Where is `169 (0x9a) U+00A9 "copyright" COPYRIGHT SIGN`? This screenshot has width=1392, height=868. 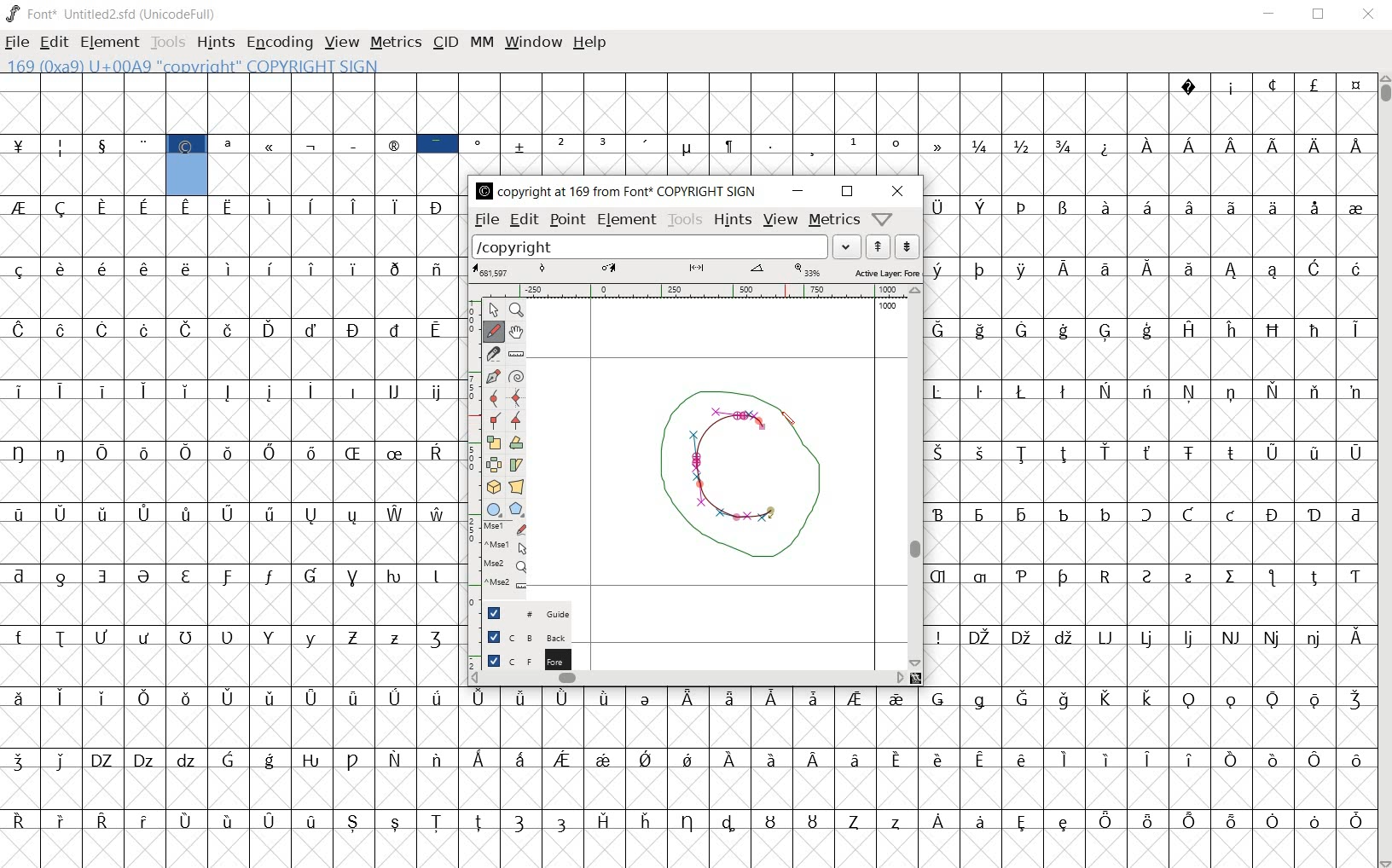 169 (0x9a) U+00A9 "copyright" COPYRIGHT SIGN is located at coordinates (200, 65).